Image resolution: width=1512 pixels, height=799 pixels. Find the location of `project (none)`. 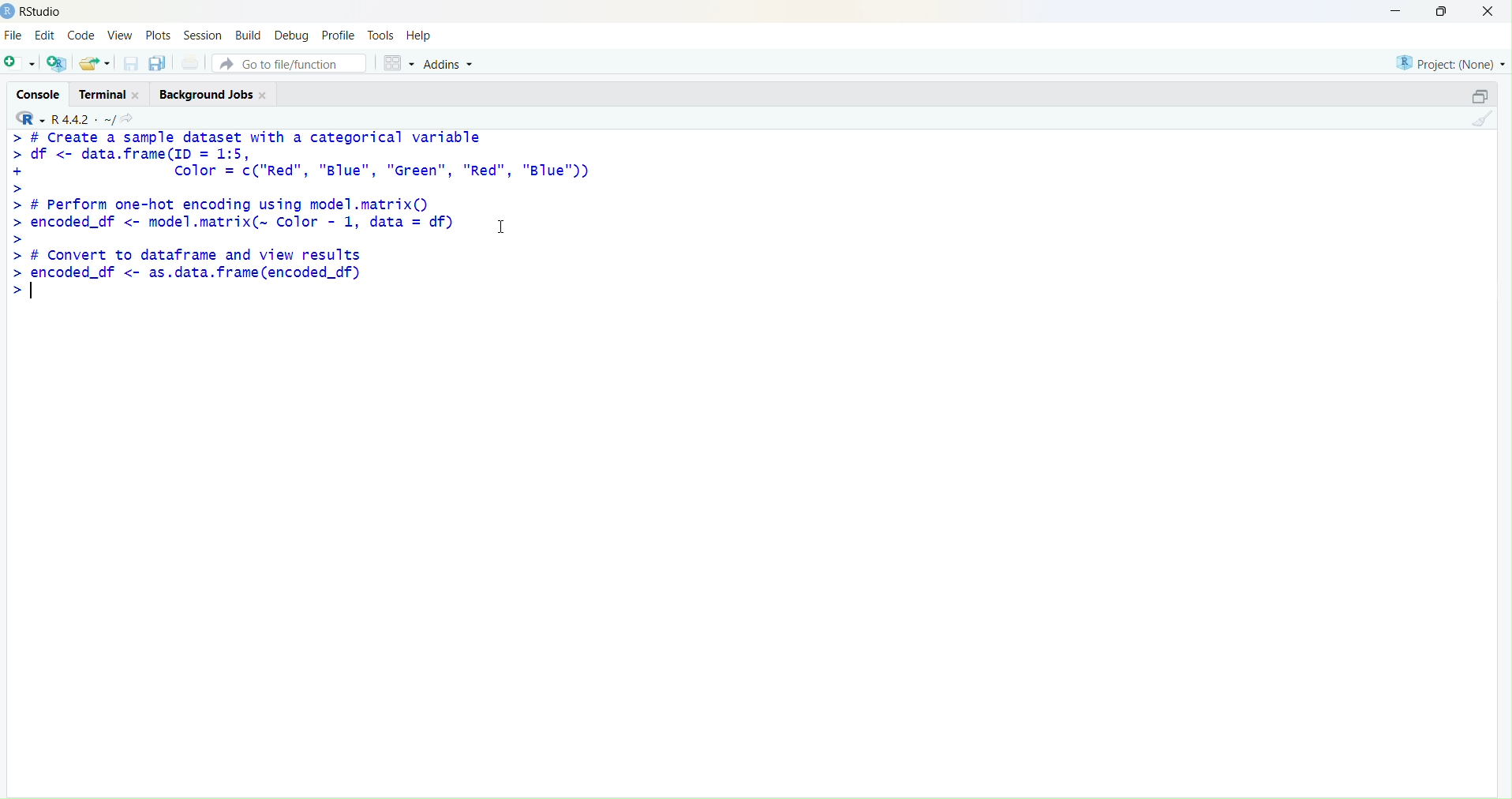

project (none) is located at coordinates (1451, 63).